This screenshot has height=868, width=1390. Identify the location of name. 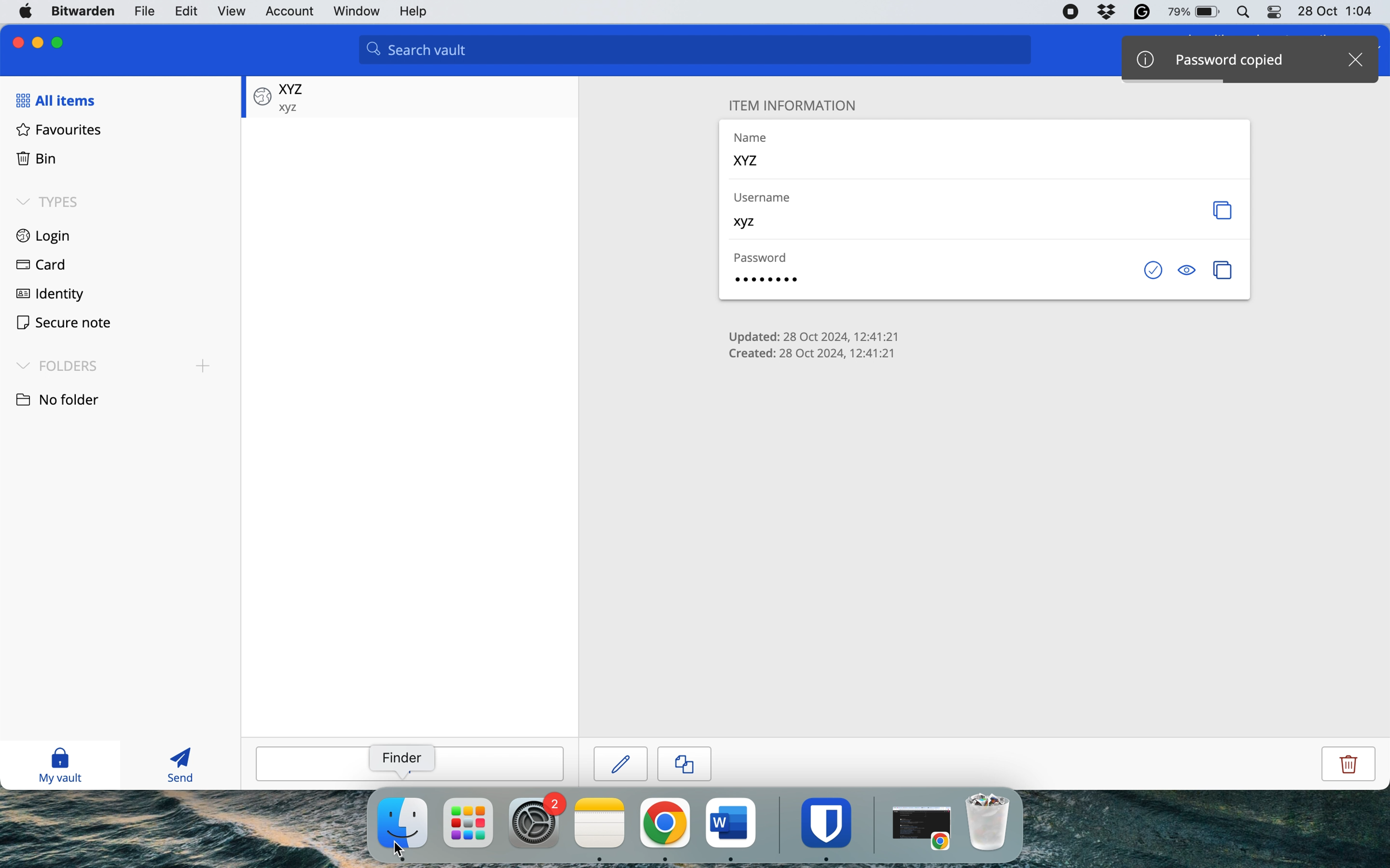
(758, 150).